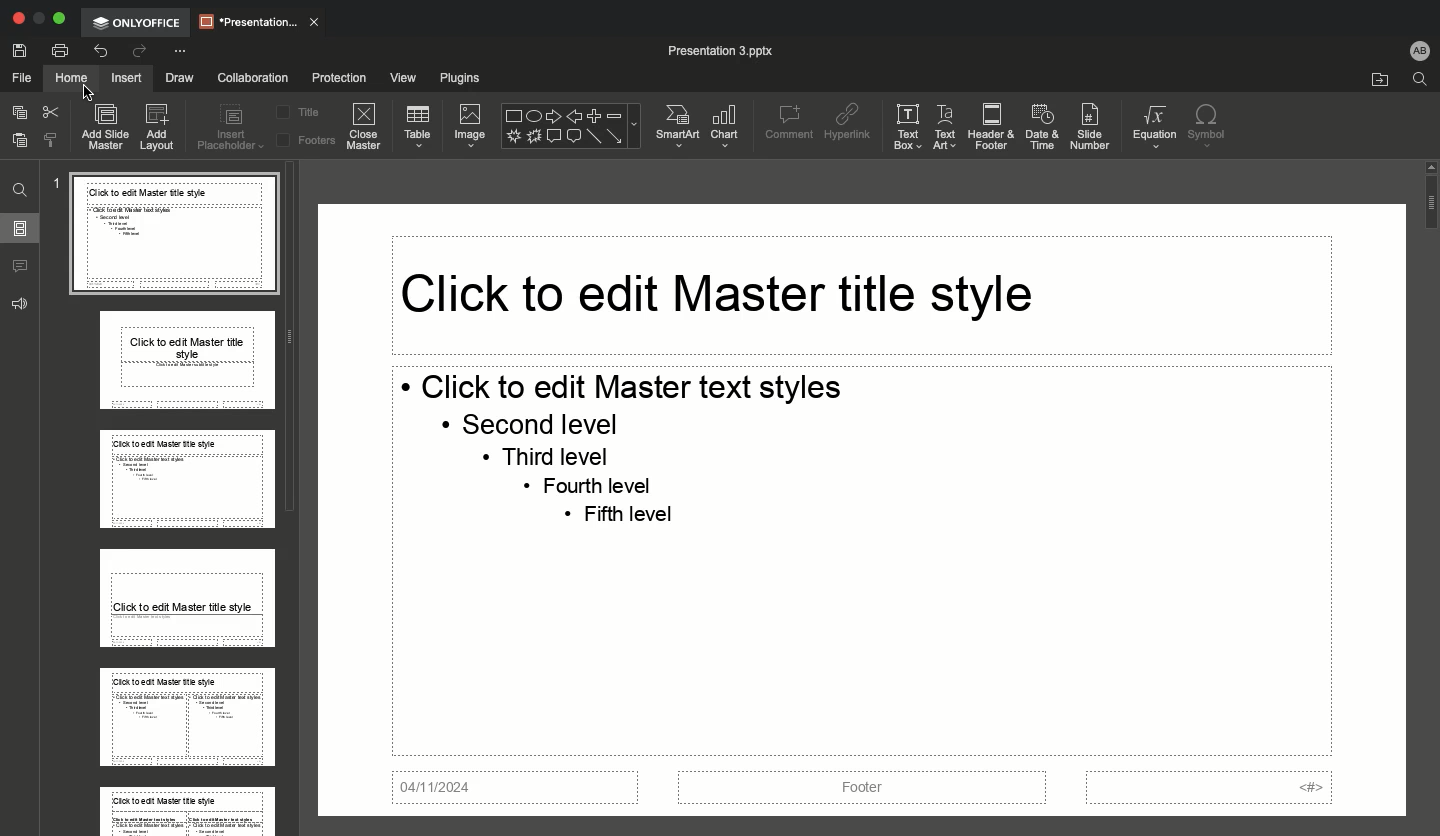 This screenshot has width=1440, height=836. Describe the element at coordinates (81, 82) in the screenshot. I see `Cursor` at that location.